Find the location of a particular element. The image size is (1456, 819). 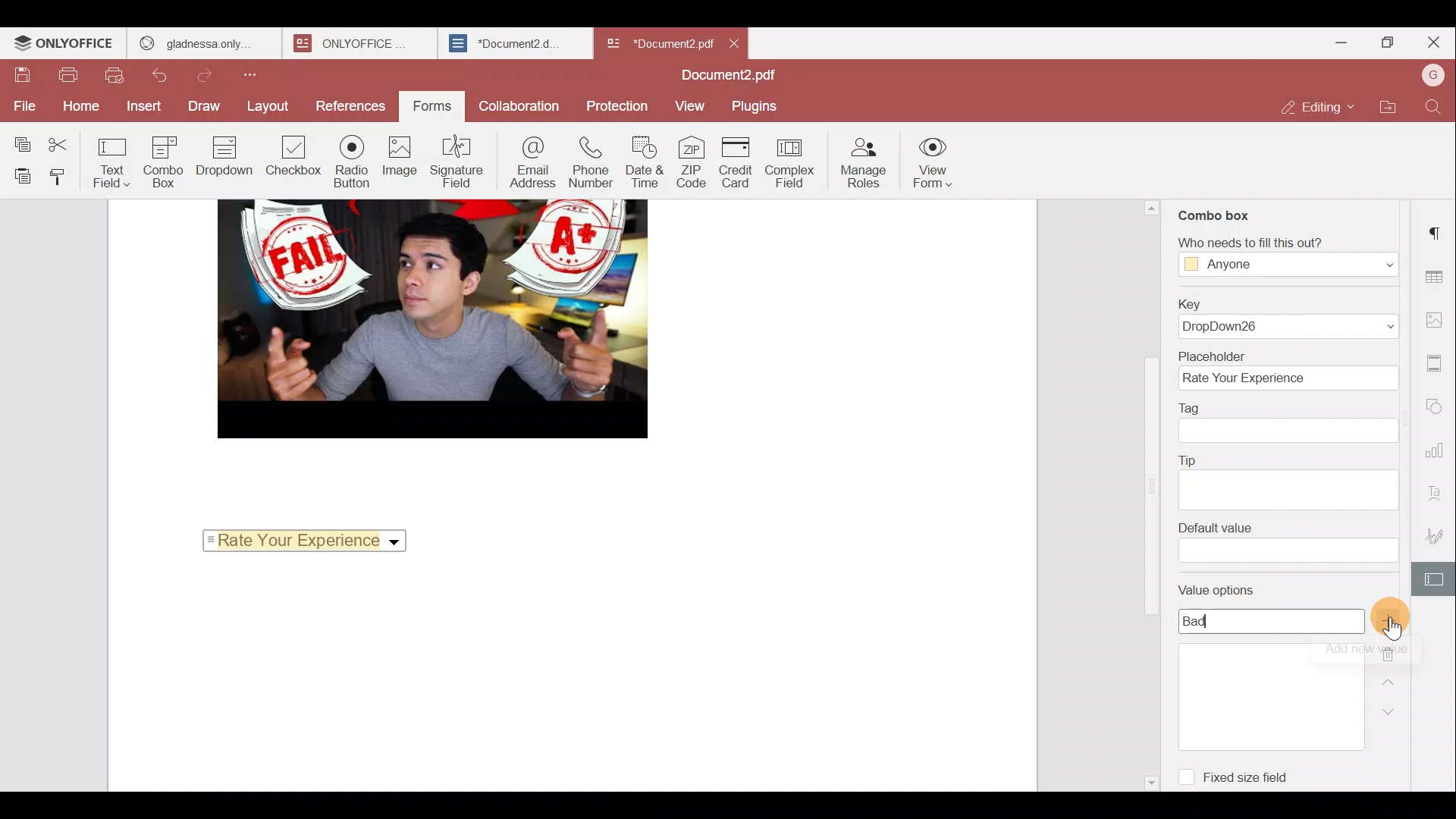

*Document2.d. is located at coordinates (505, 41).